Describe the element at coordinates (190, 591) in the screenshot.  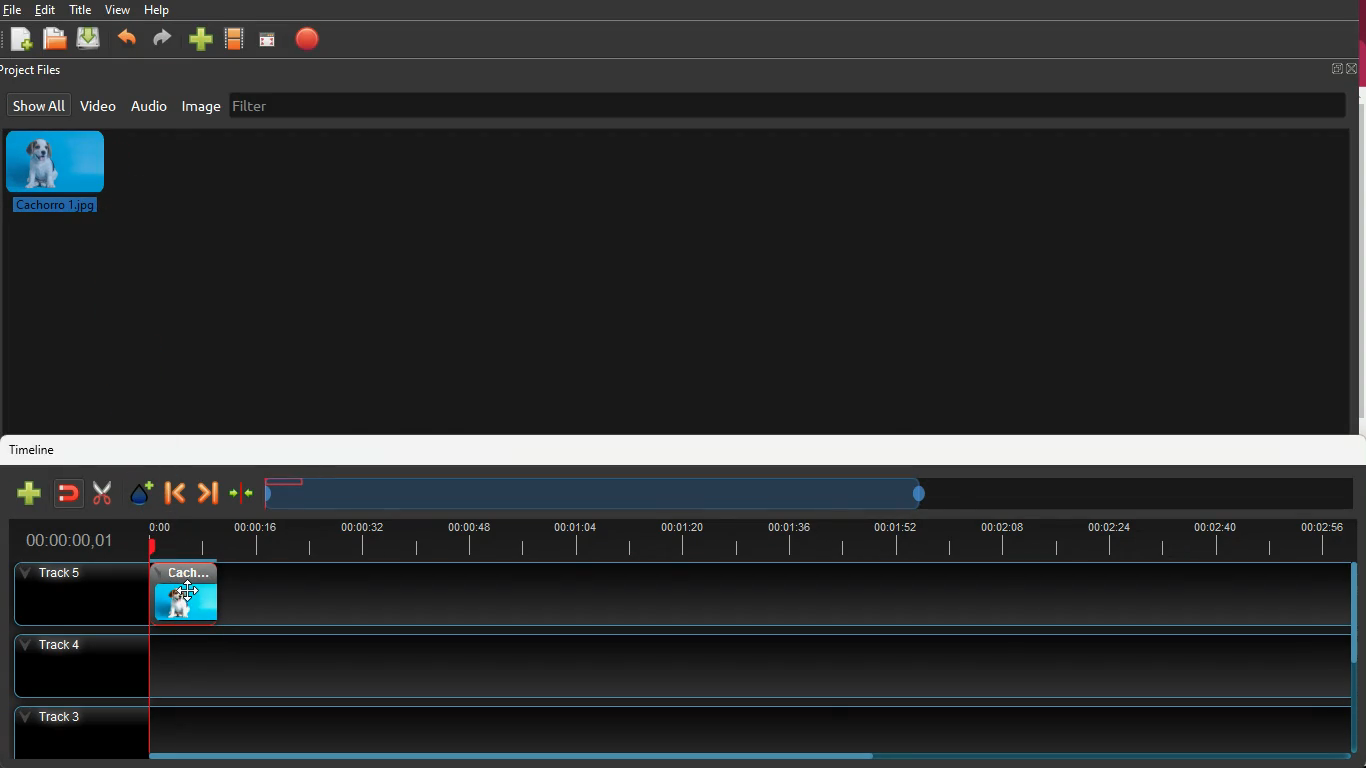
I see `cursor` at that location.